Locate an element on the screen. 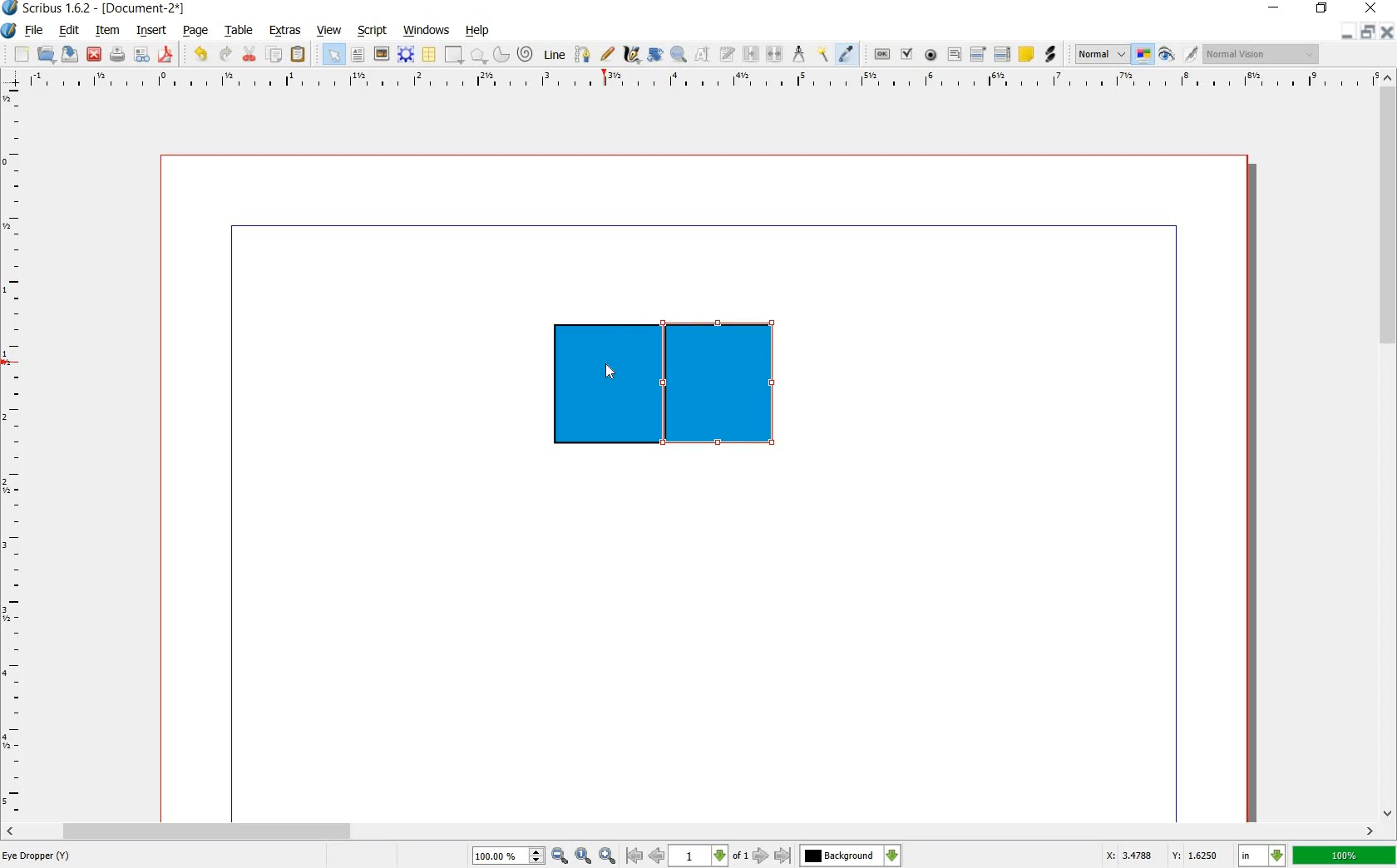  scrollbar is located at coordinates (1389, 451).